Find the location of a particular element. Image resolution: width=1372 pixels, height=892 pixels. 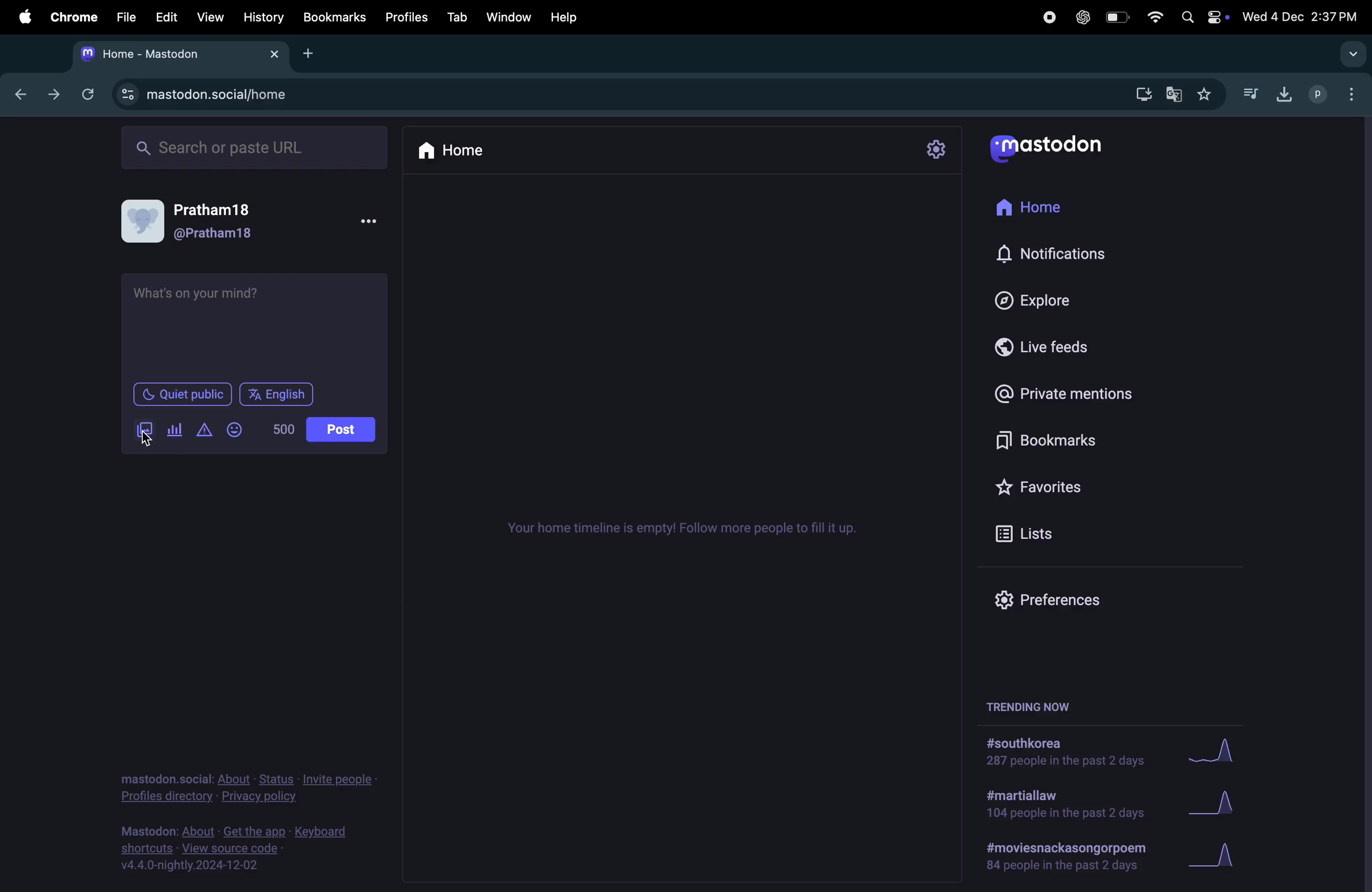

refresh is located at coordinates (85, 94).